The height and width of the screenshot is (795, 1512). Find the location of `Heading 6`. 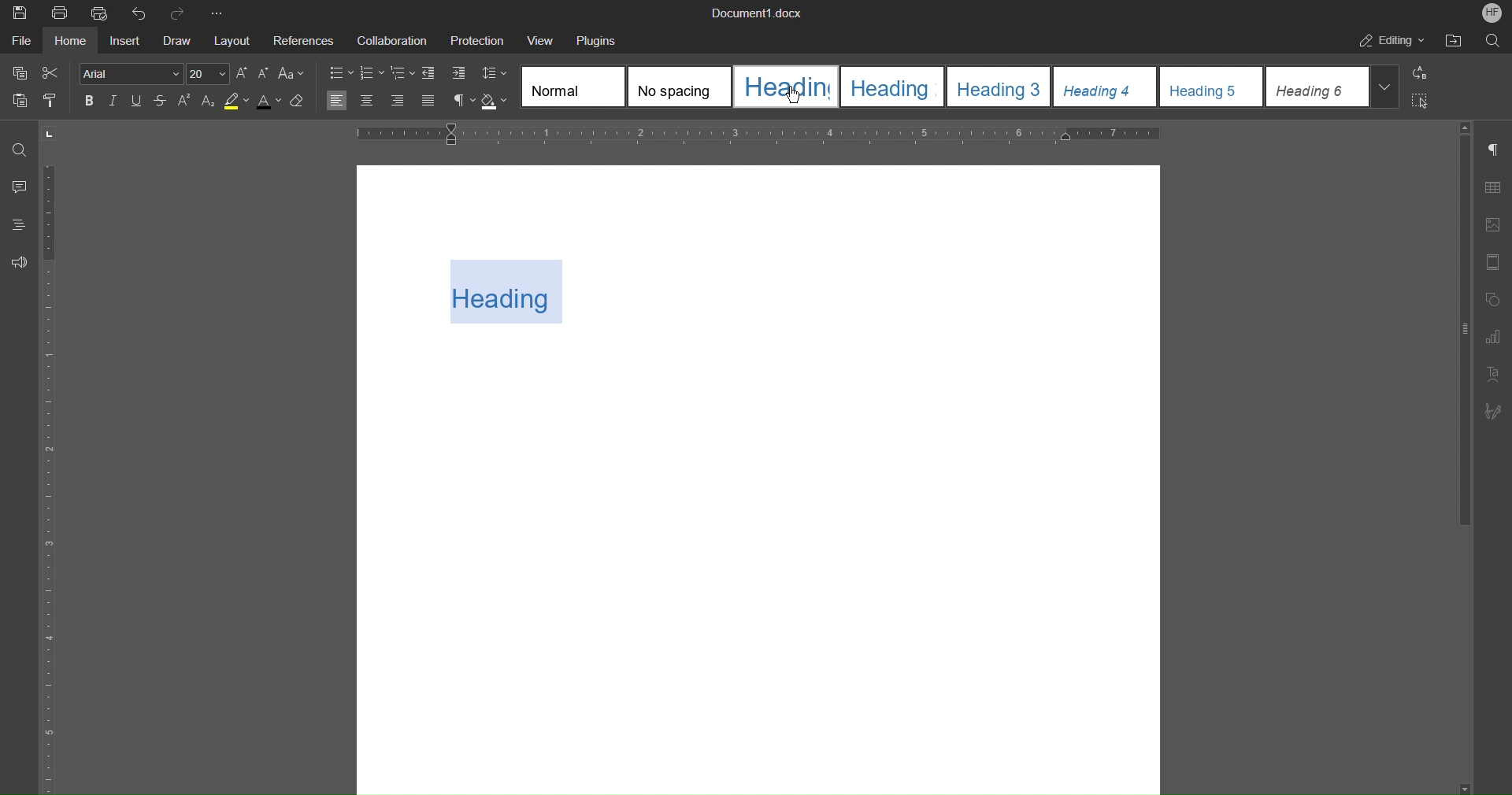

Heading 6 is located at coordinates (1314, 87).